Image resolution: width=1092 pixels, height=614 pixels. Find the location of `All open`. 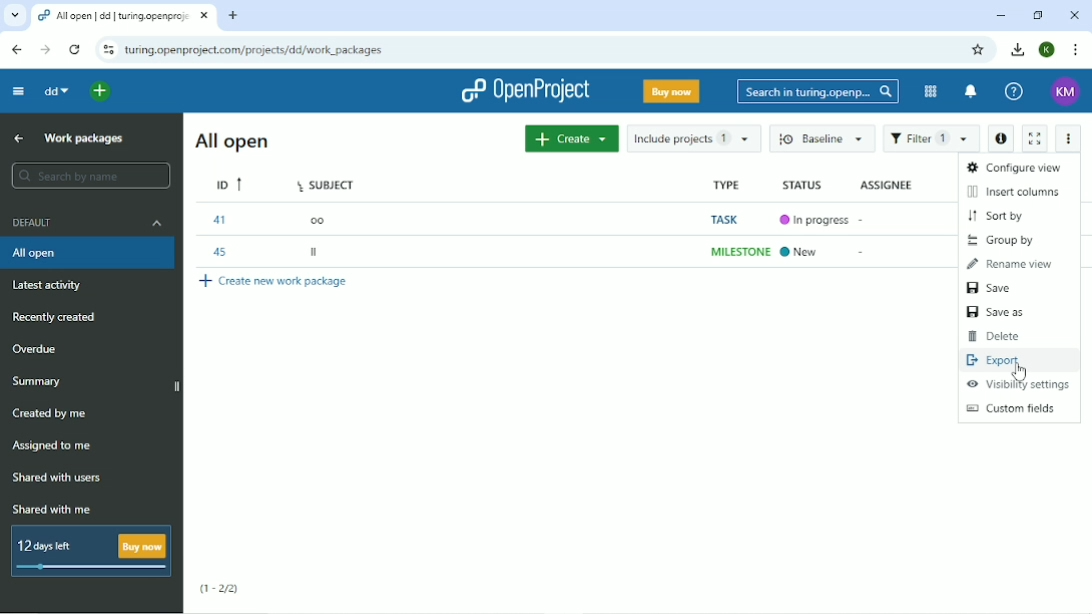

All open is located at coordinates (235, 141).